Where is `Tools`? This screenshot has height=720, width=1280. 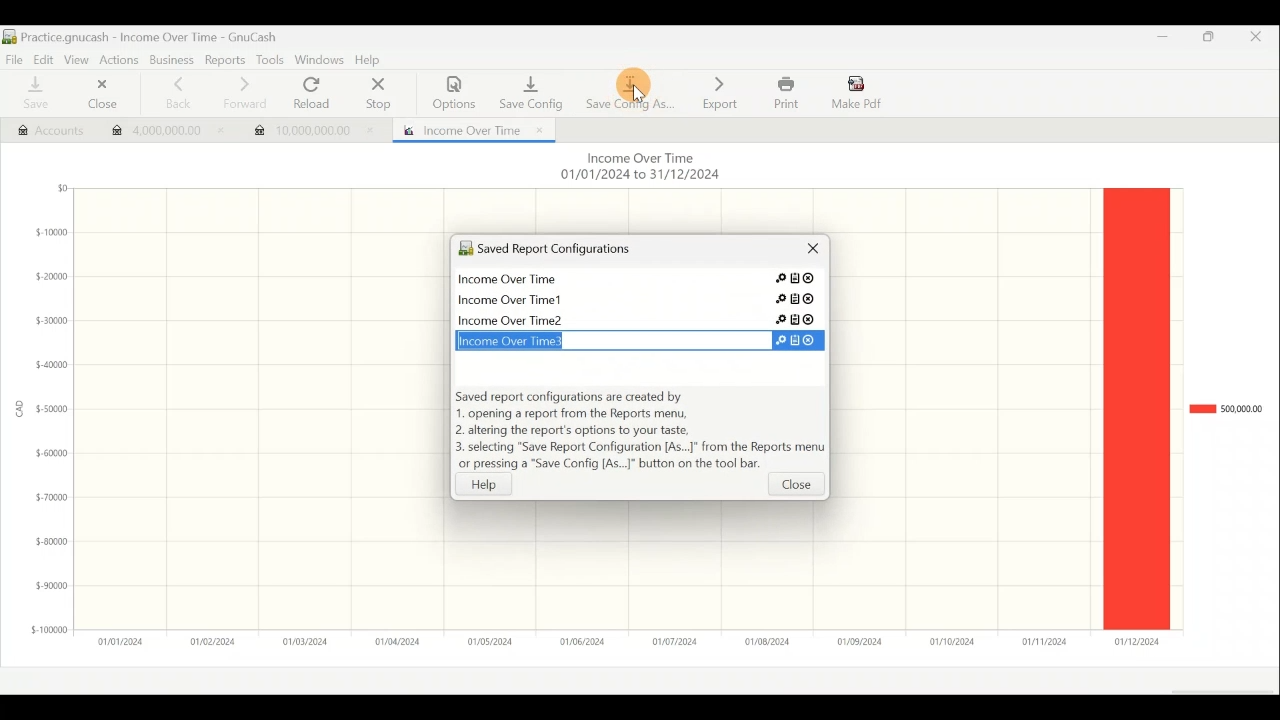
Tools is located at coordinates (269, 60).